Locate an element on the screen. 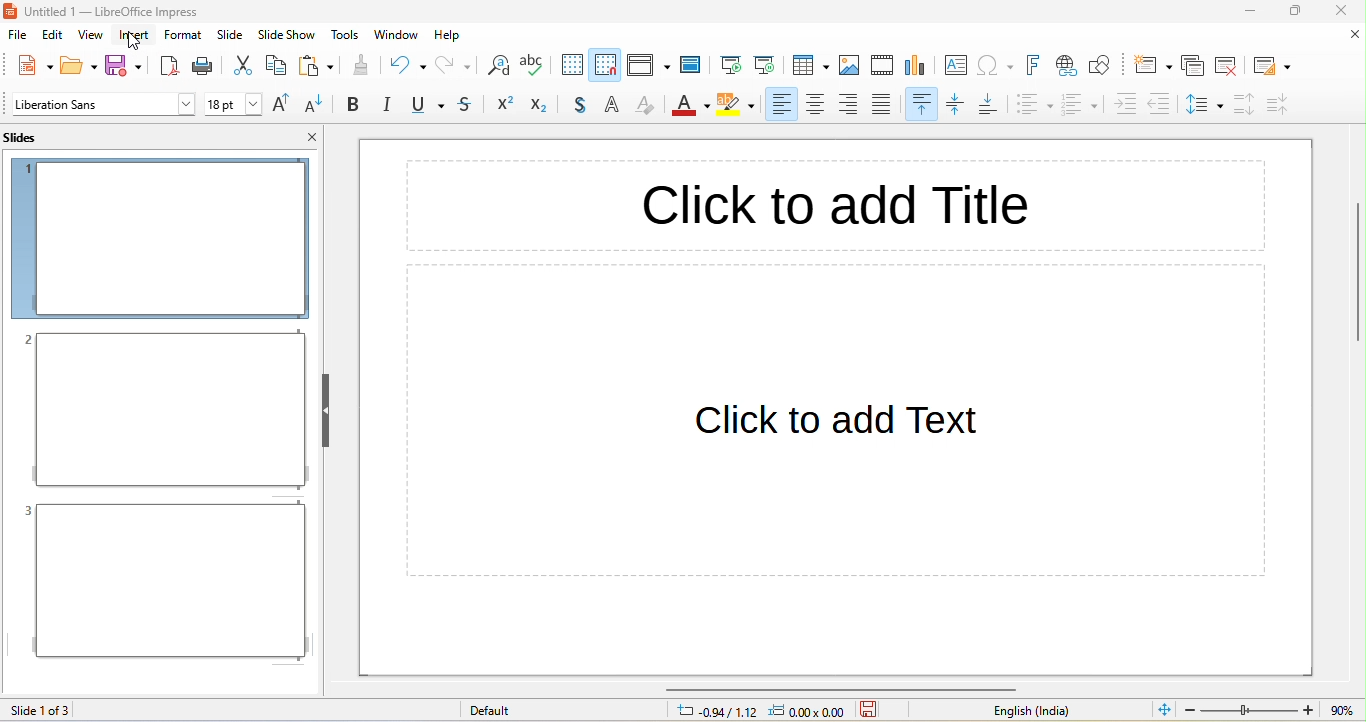 This screenshot has height=722, width=1366. help is located at coordinates (448, 36).